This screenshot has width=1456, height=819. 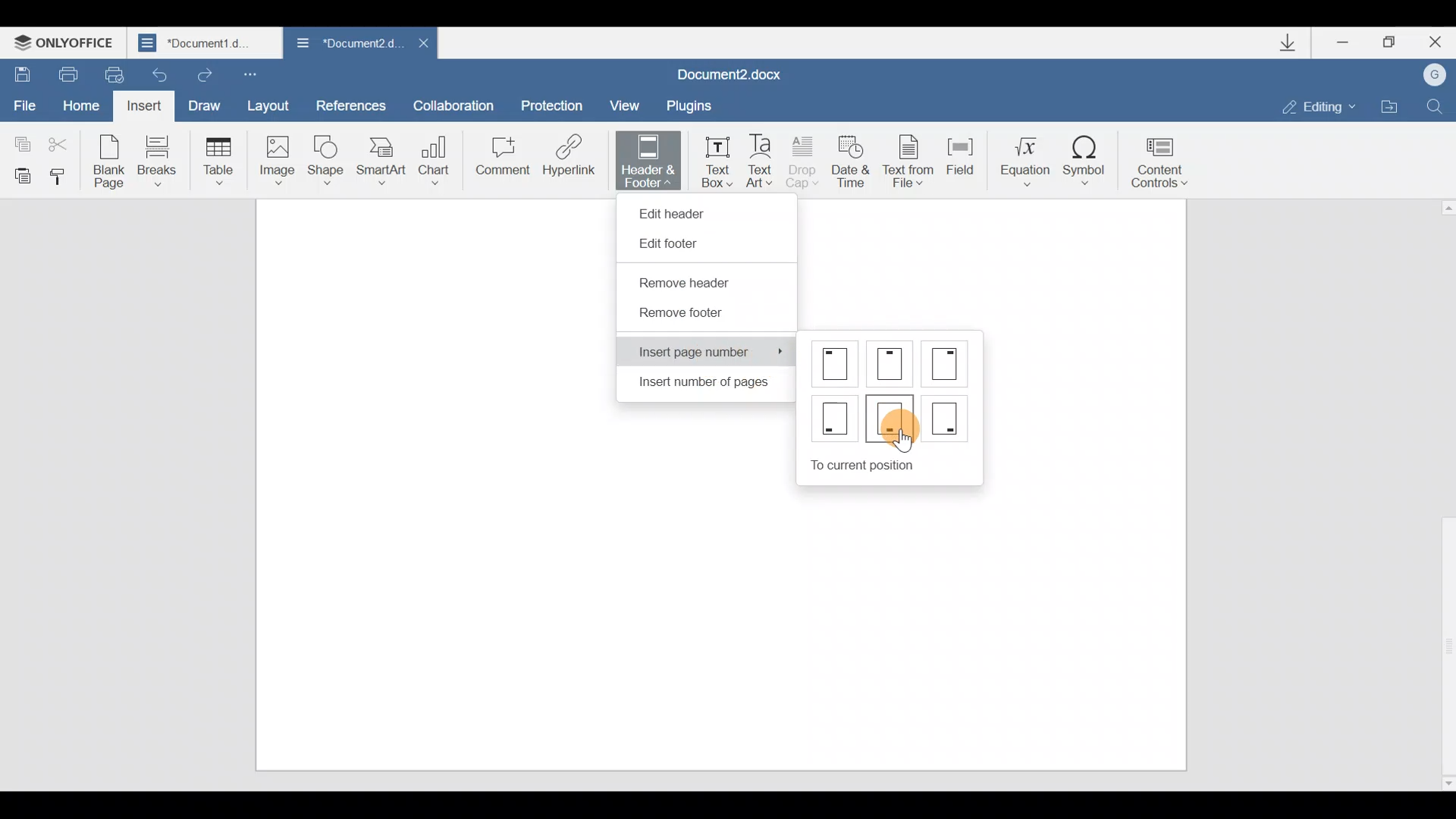 What do you see at coordinates (419, 42) in the screenshot?
I see `Close` at bounding box center [419, 42].